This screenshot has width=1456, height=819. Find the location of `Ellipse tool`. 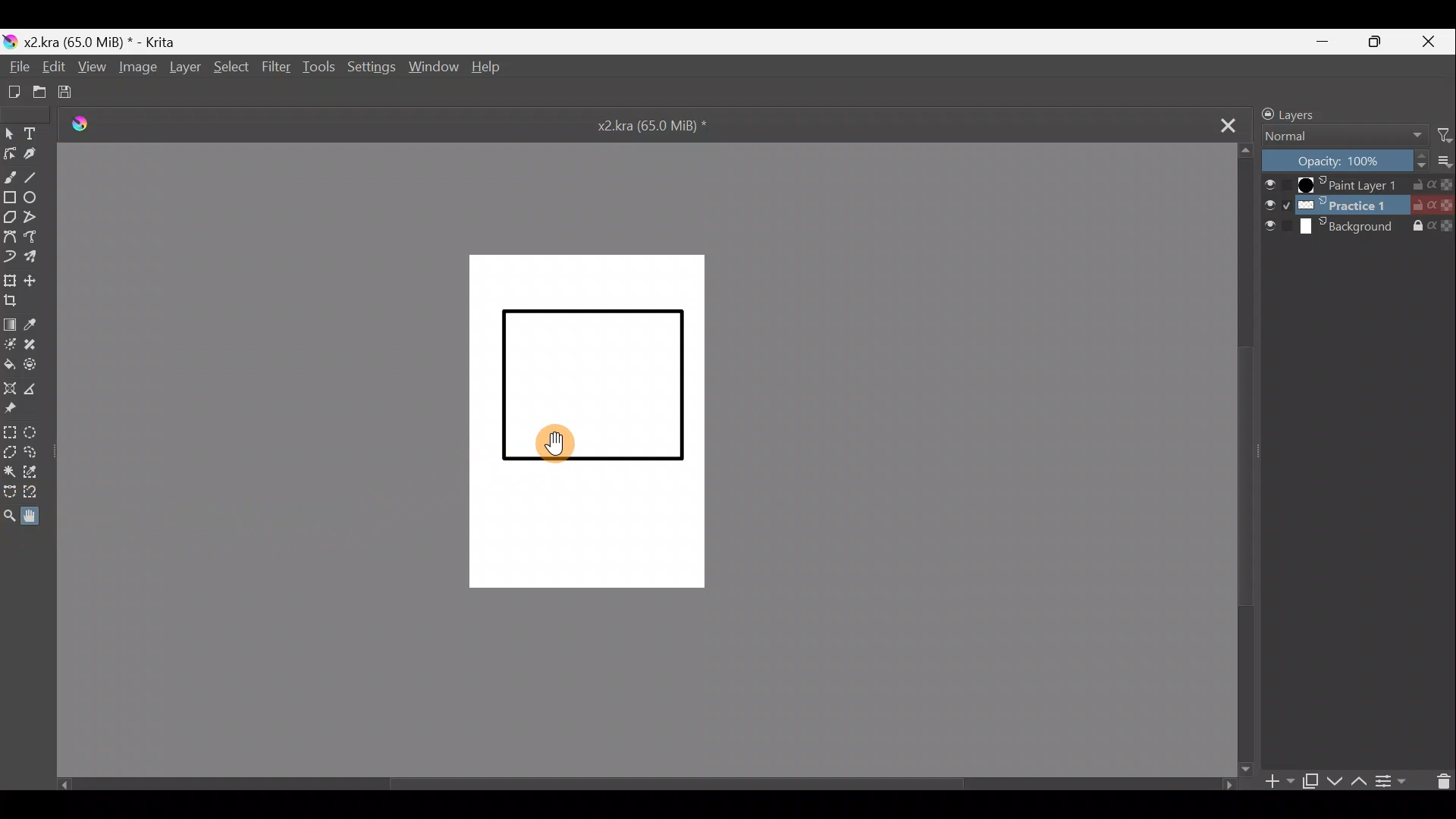

Ellipse tool is located at coordinates (36, 196).